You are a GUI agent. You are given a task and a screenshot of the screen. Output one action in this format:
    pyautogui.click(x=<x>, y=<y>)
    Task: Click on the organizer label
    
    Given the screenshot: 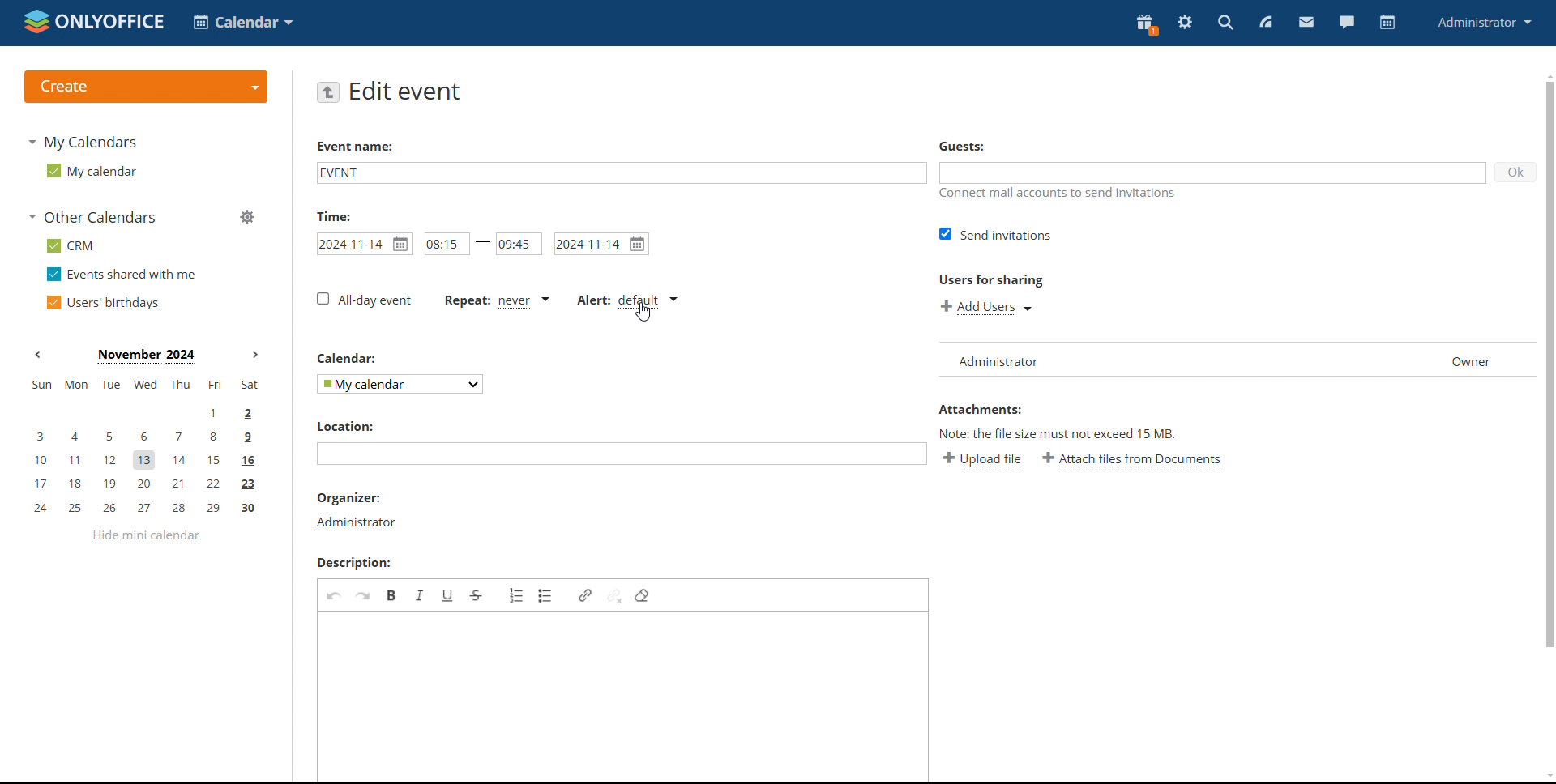 What is the action you would take?
    pyautogui.click(x=353, y=500)
    